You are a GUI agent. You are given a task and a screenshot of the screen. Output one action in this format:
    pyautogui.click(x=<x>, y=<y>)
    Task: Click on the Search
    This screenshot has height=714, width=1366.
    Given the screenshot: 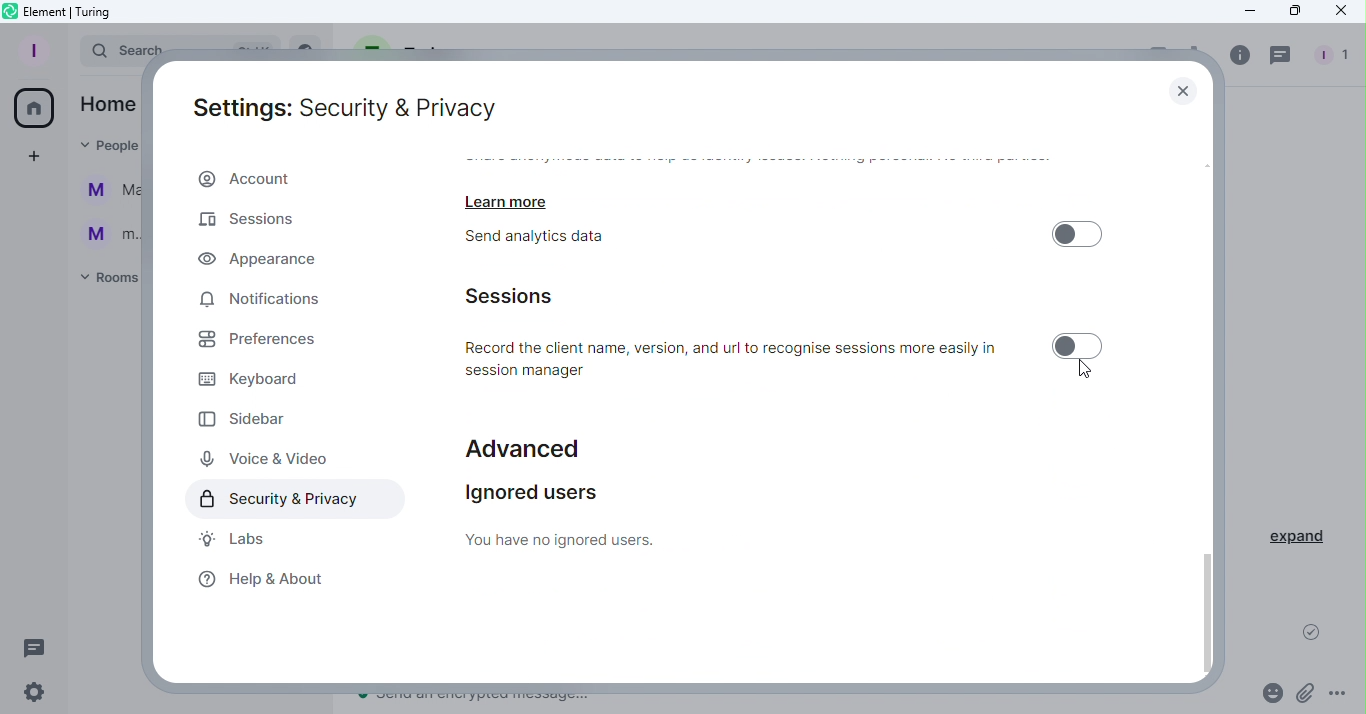 What is the action you would take?
    pyautogui.click(x=109, y=52)
    